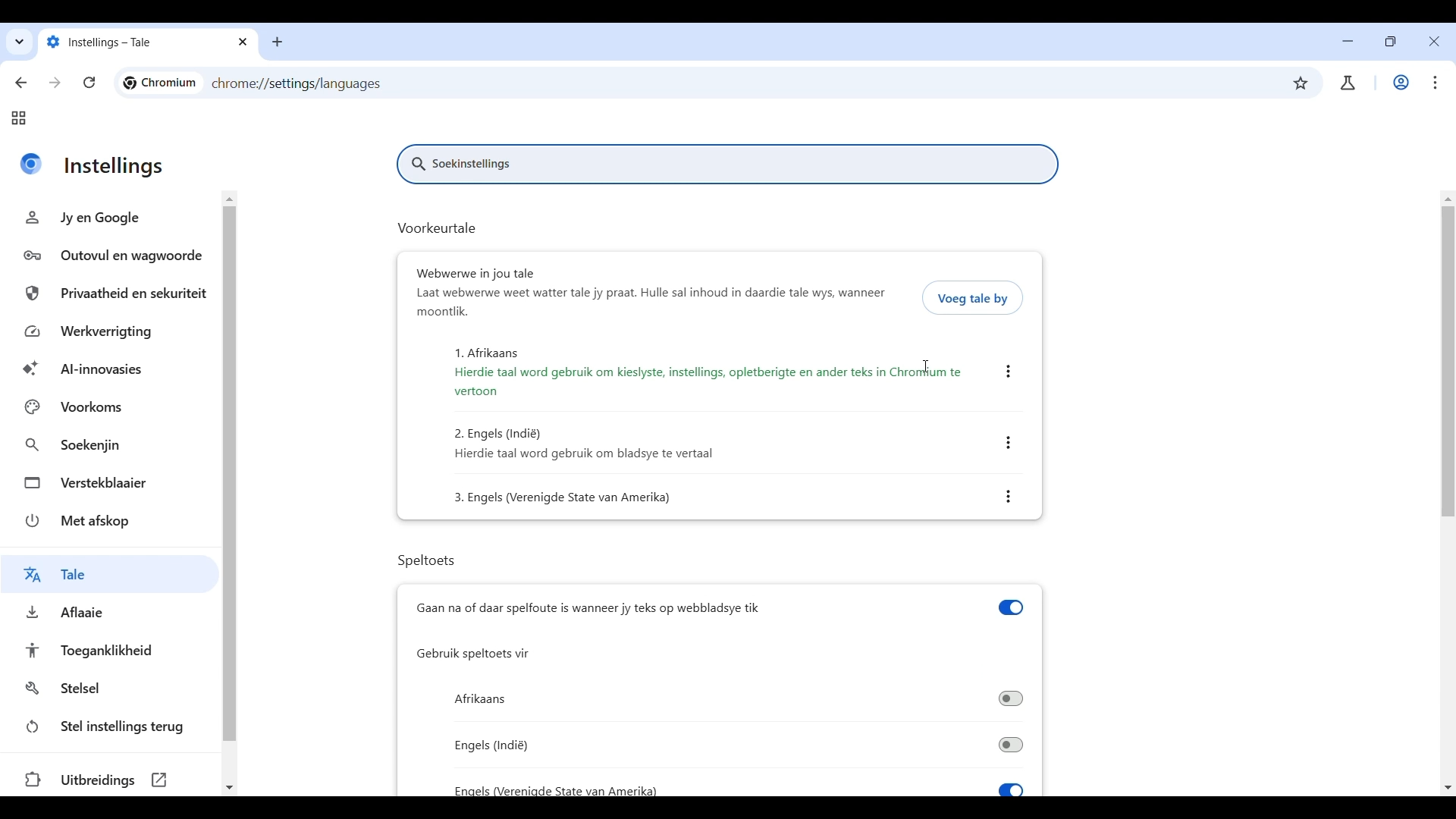 The width and height of the screenshot is (1456, 819). Describe the element at coordinates (429, 562) in the screenshot. I see `Speltoets` at that location.